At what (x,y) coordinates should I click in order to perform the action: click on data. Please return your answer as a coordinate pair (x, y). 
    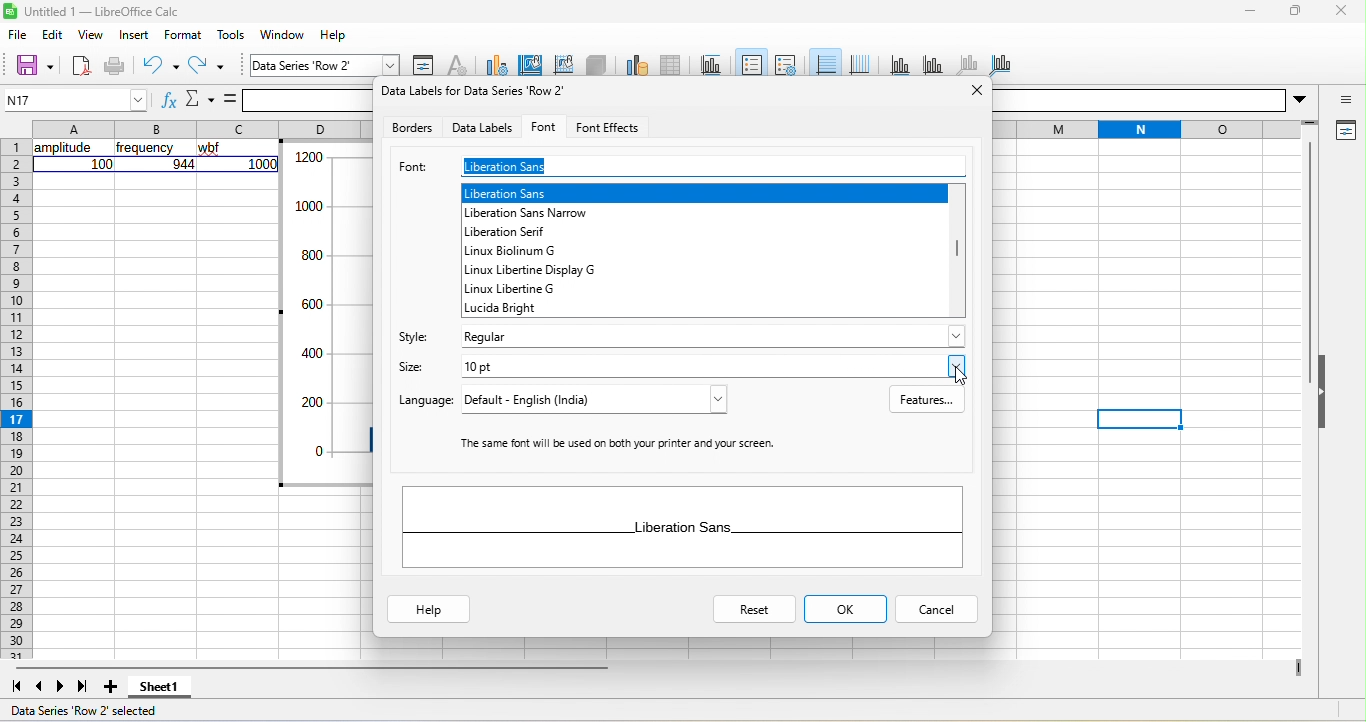
    Looking at the image, I should click on (331, 313).